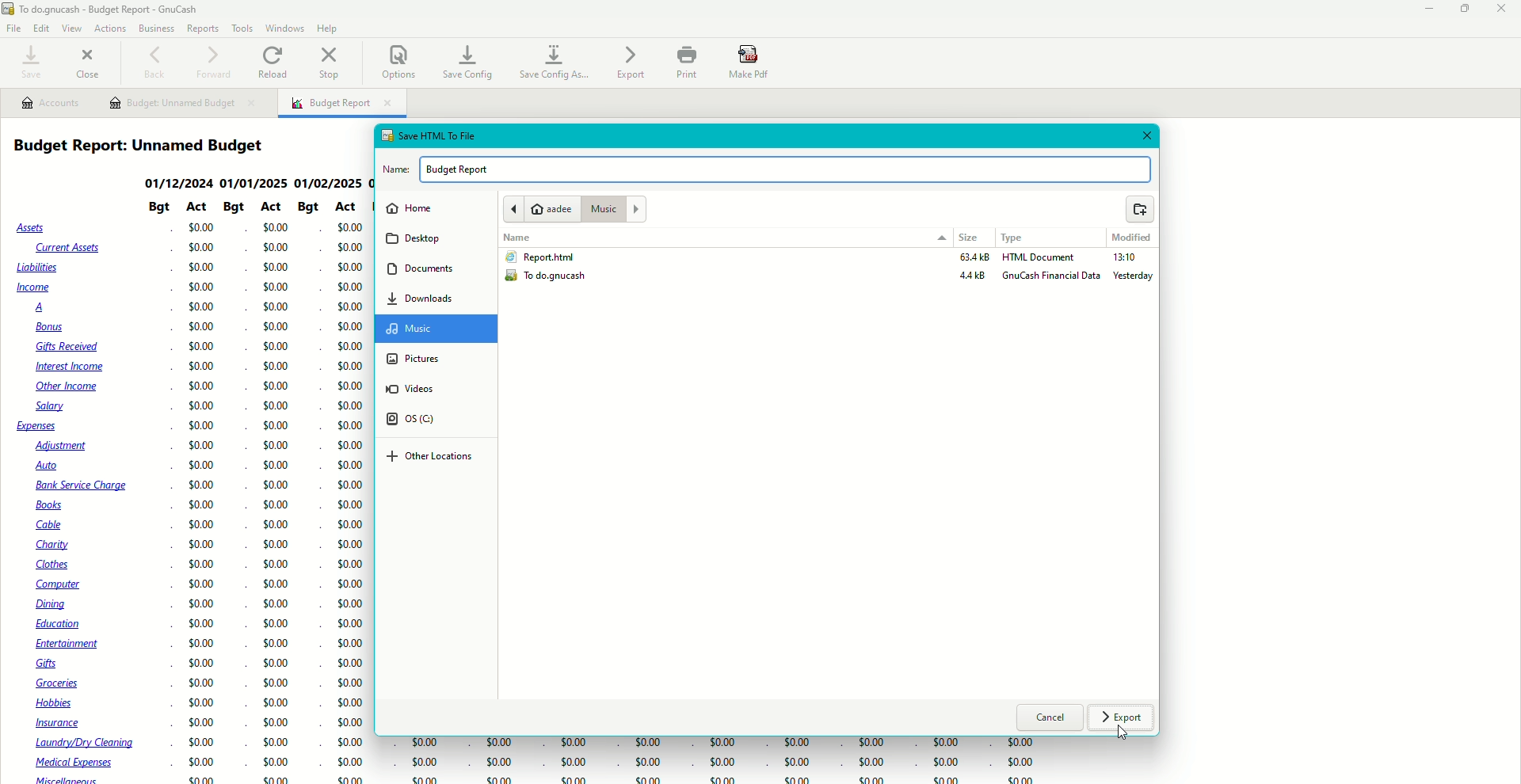  I want to click on Type, so click(1018, 238).